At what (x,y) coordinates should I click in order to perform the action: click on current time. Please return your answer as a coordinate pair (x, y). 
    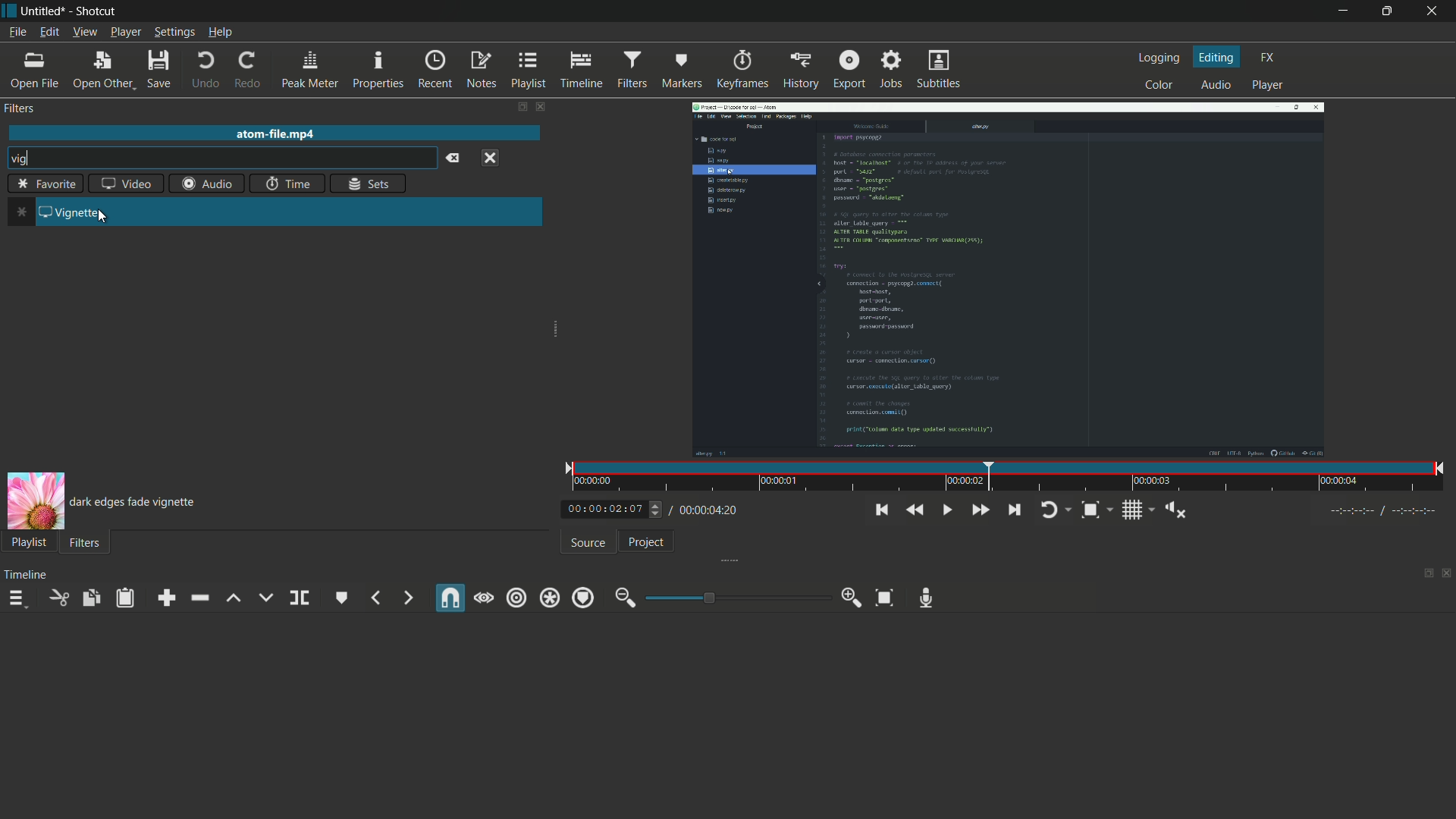
    Looking at the image, I should click on (604, 507).